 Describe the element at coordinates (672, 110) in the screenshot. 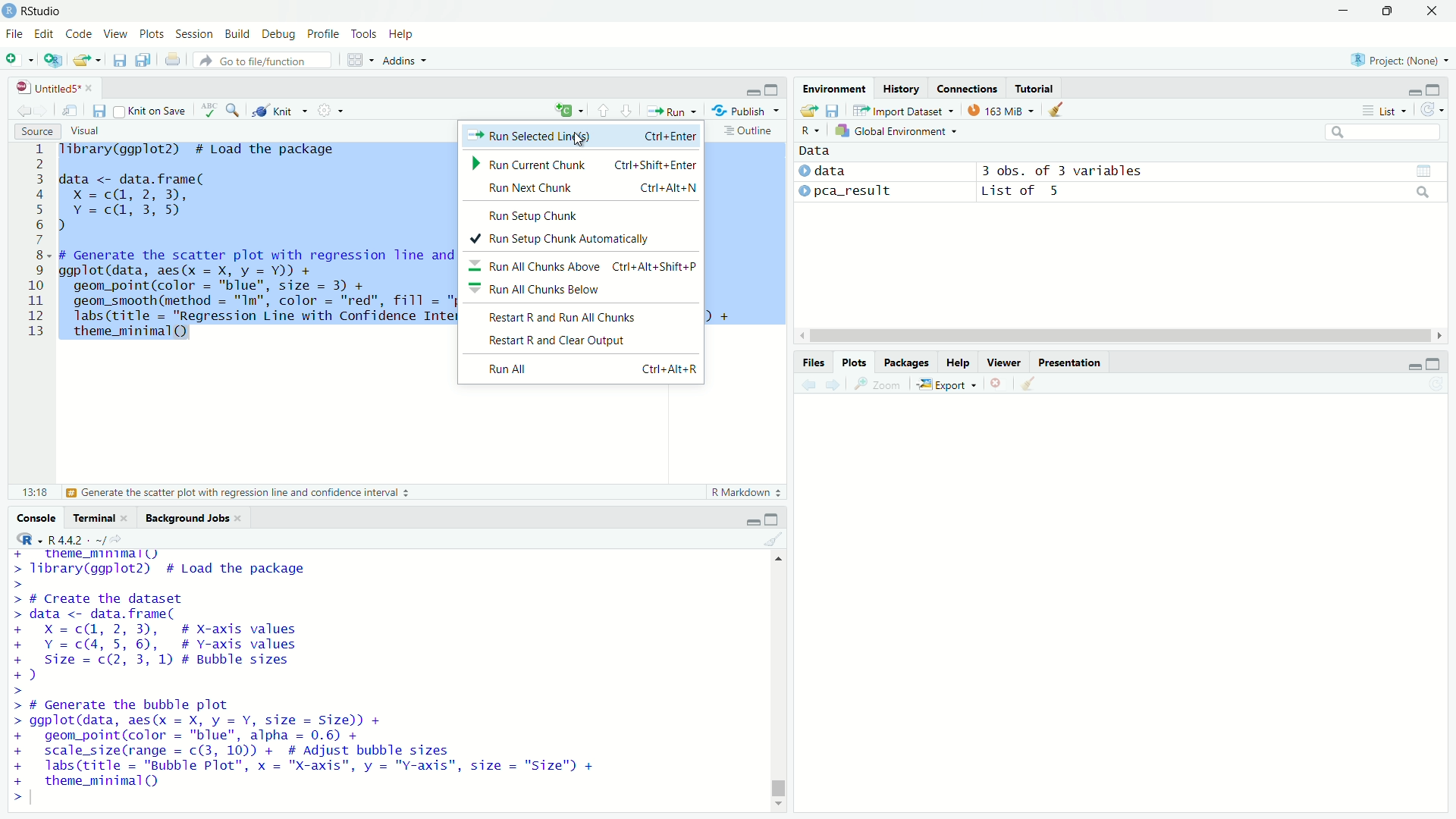

I see `Run` at that location.